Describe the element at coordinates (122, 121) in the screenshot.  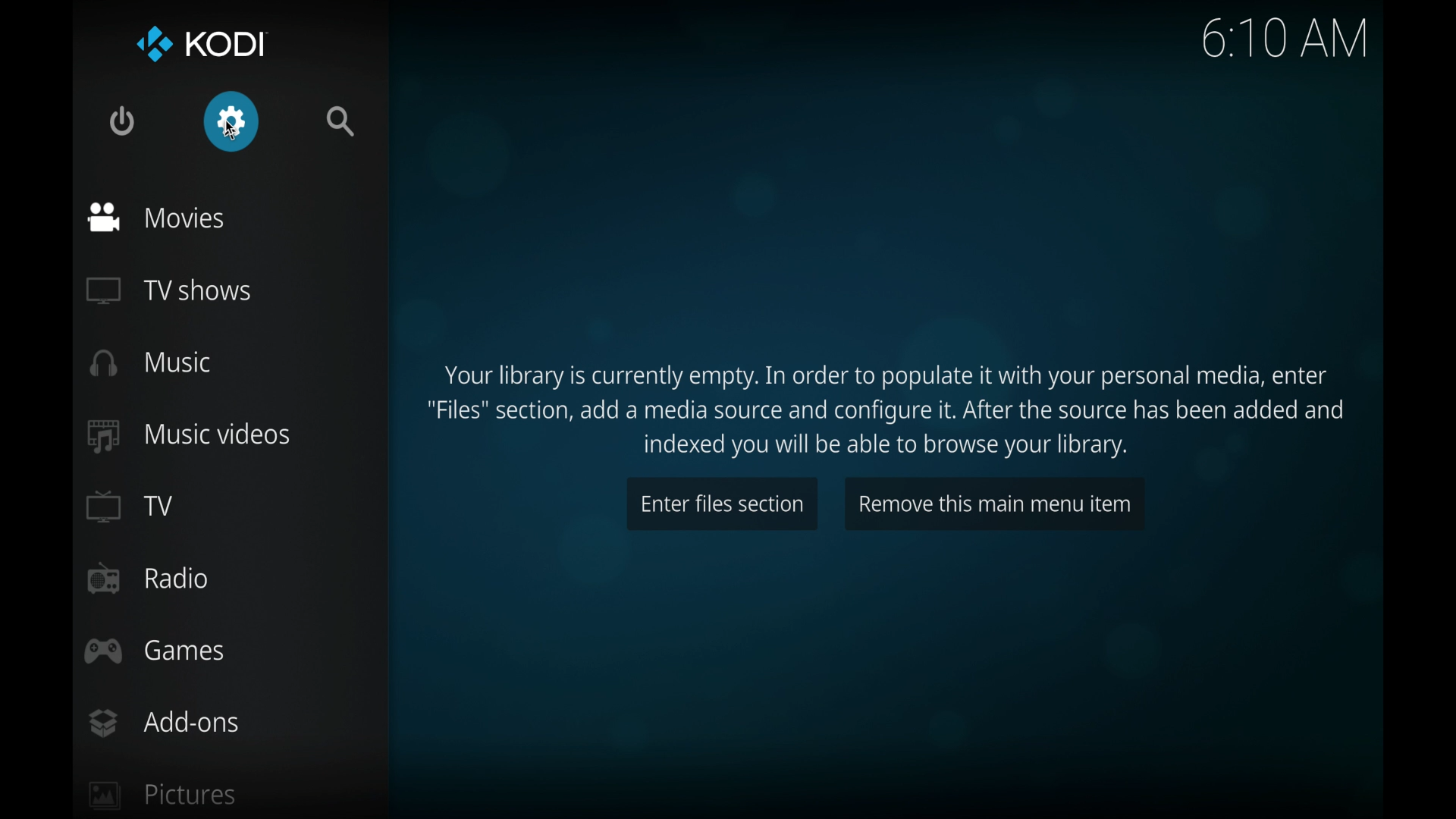
I see `quit kodi` at that location.